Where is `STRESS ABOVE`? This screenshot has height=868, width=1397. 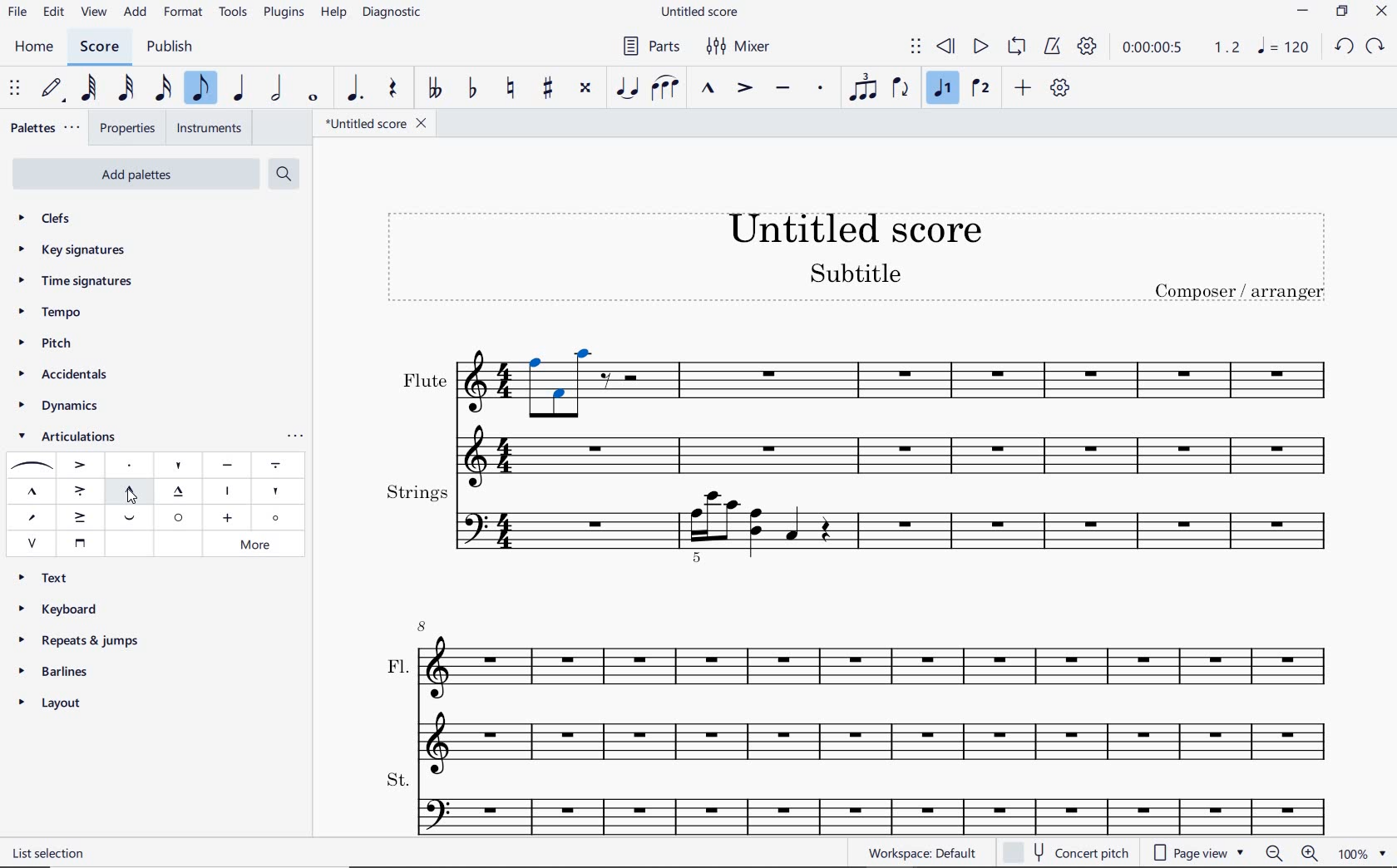
STRESS ABOVE is located at coordinates (31, 518).